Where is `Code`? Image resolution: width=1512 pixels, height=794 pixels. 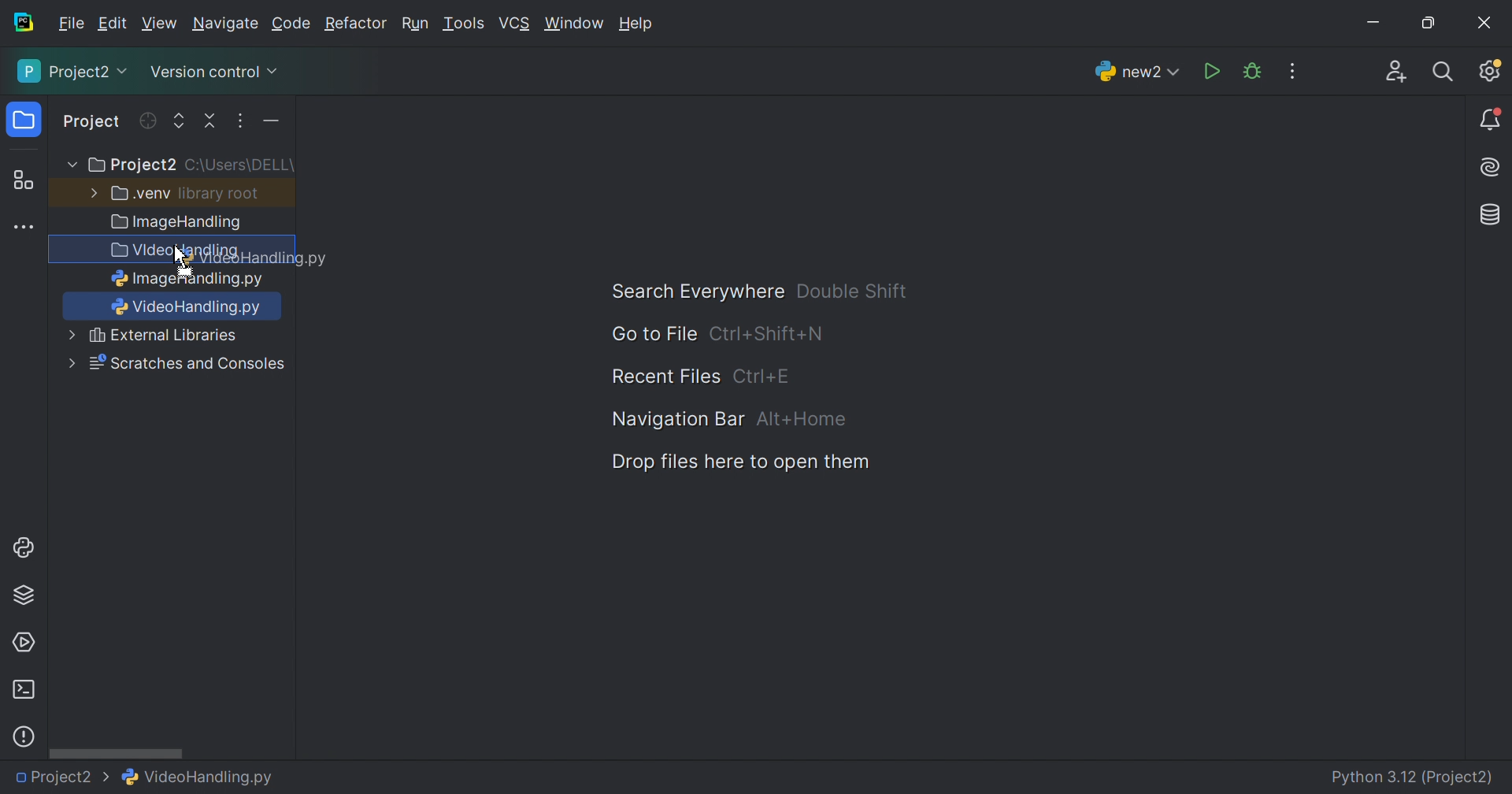 Code is located at coordinates (294, 24).